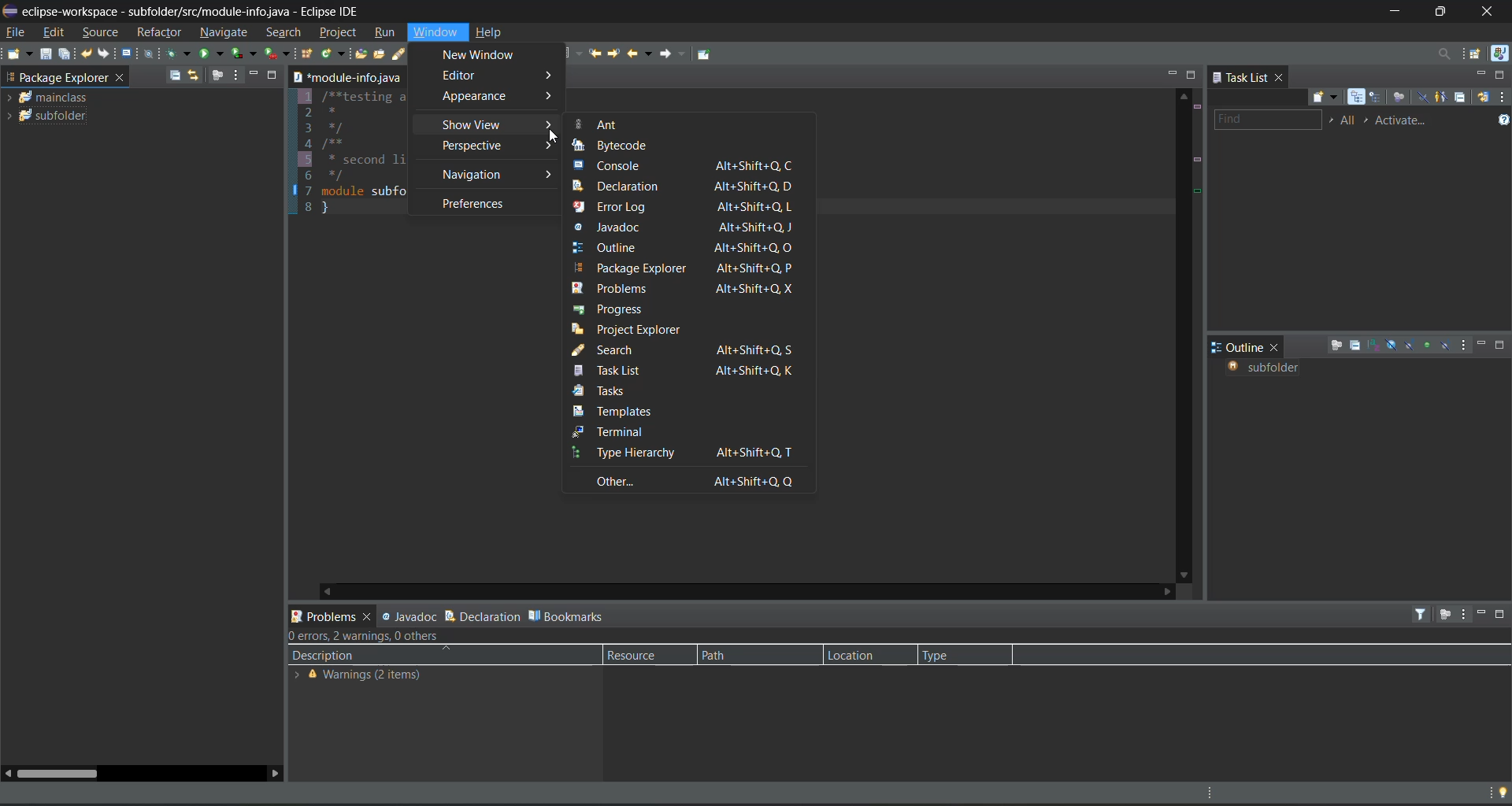  Describe the element at coordinates (1484, 98) in the screenshot. I see `synchronize changed` at that location.